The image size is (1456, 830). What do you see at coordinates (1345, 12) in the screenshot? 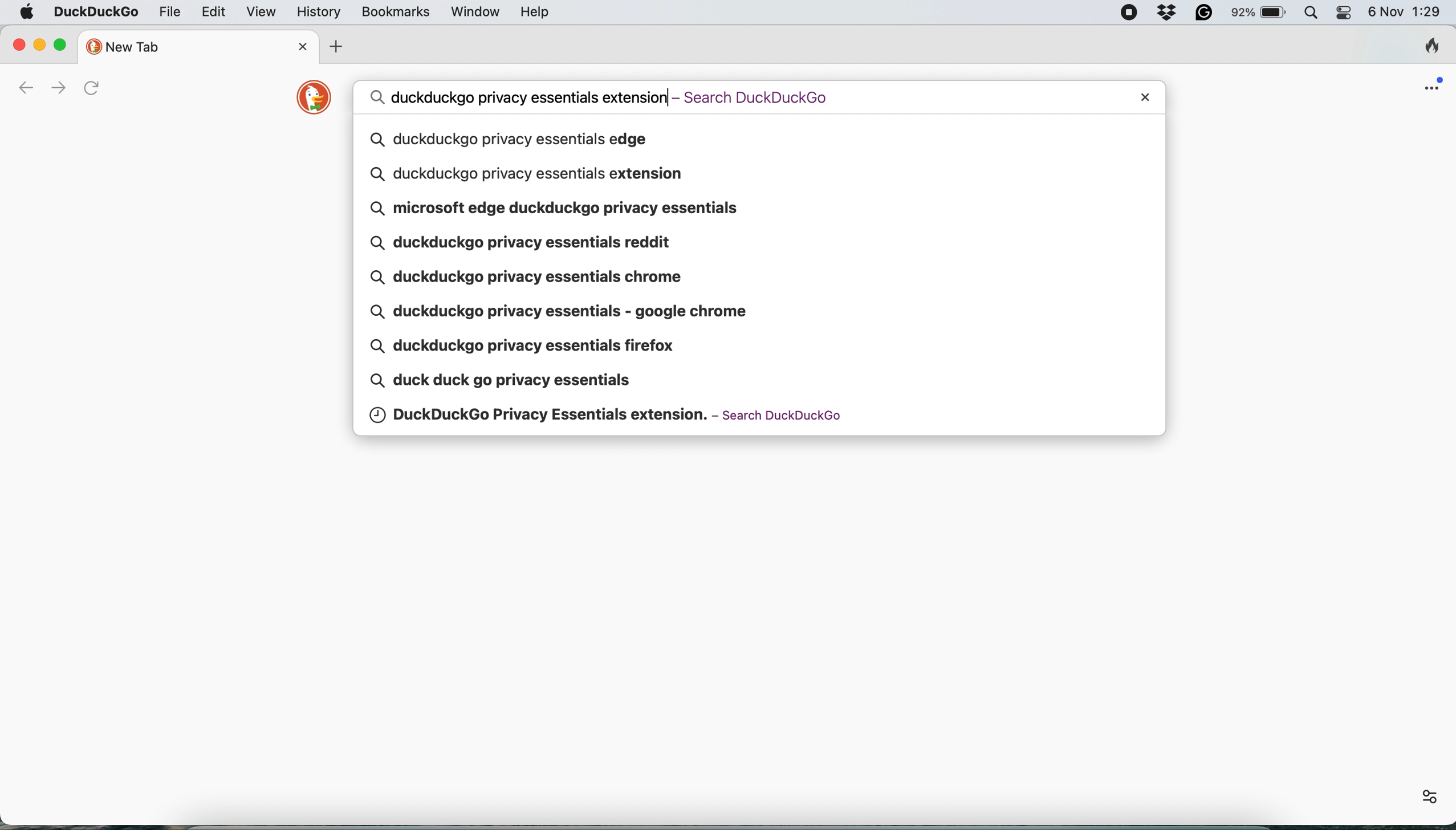
I see `control center` at bounding box center [1345, 12].